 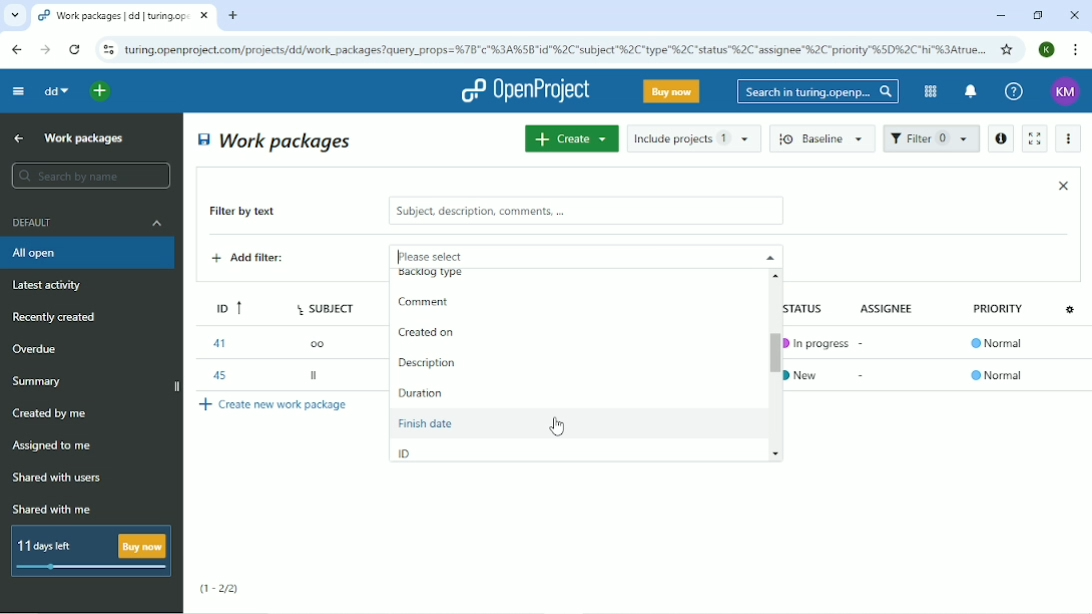 I want to click on Current tab, so click(x=124, y=16).